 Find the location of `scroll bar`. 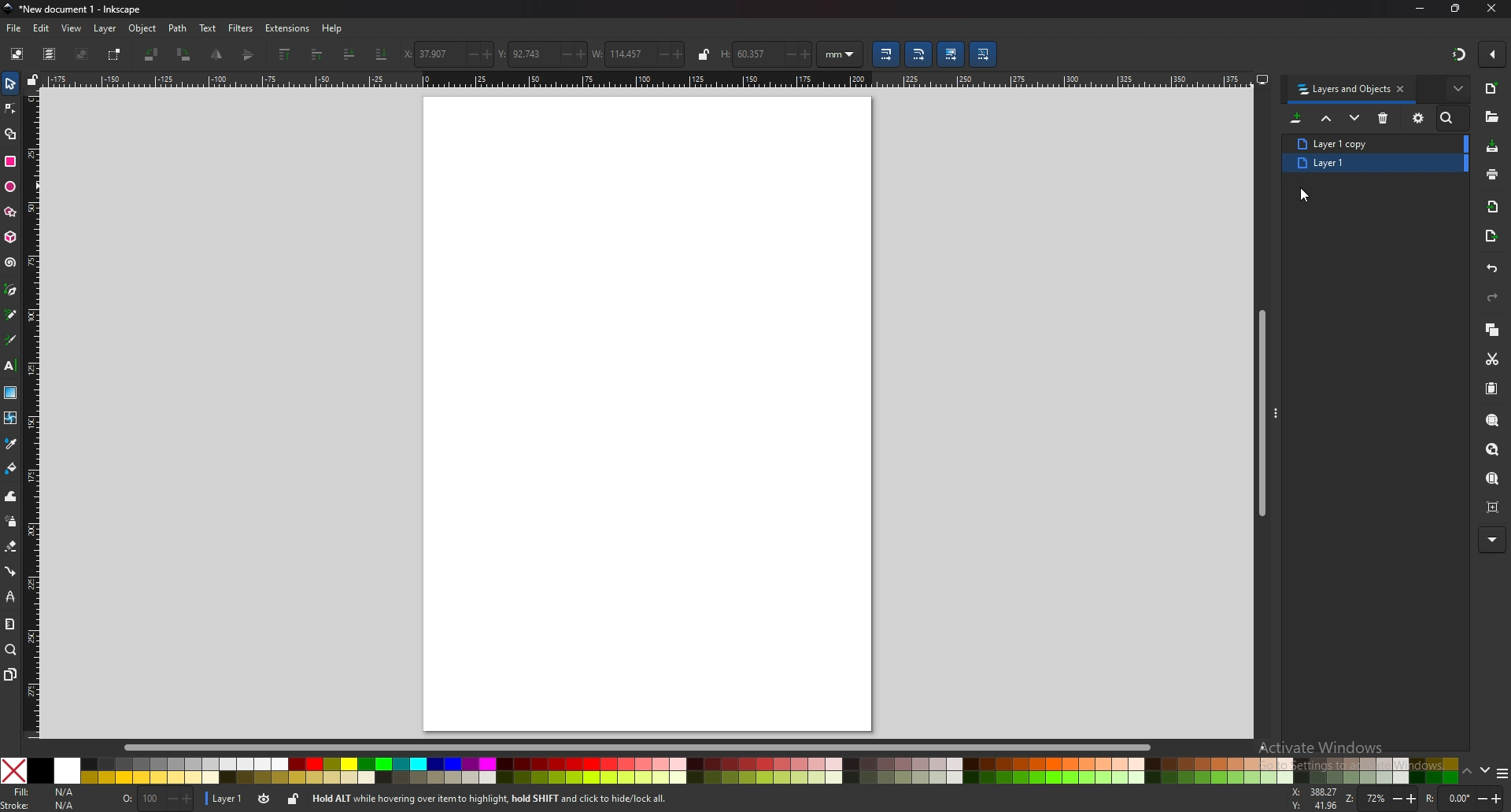

scroll bar is located at coordinates (1261, 413).